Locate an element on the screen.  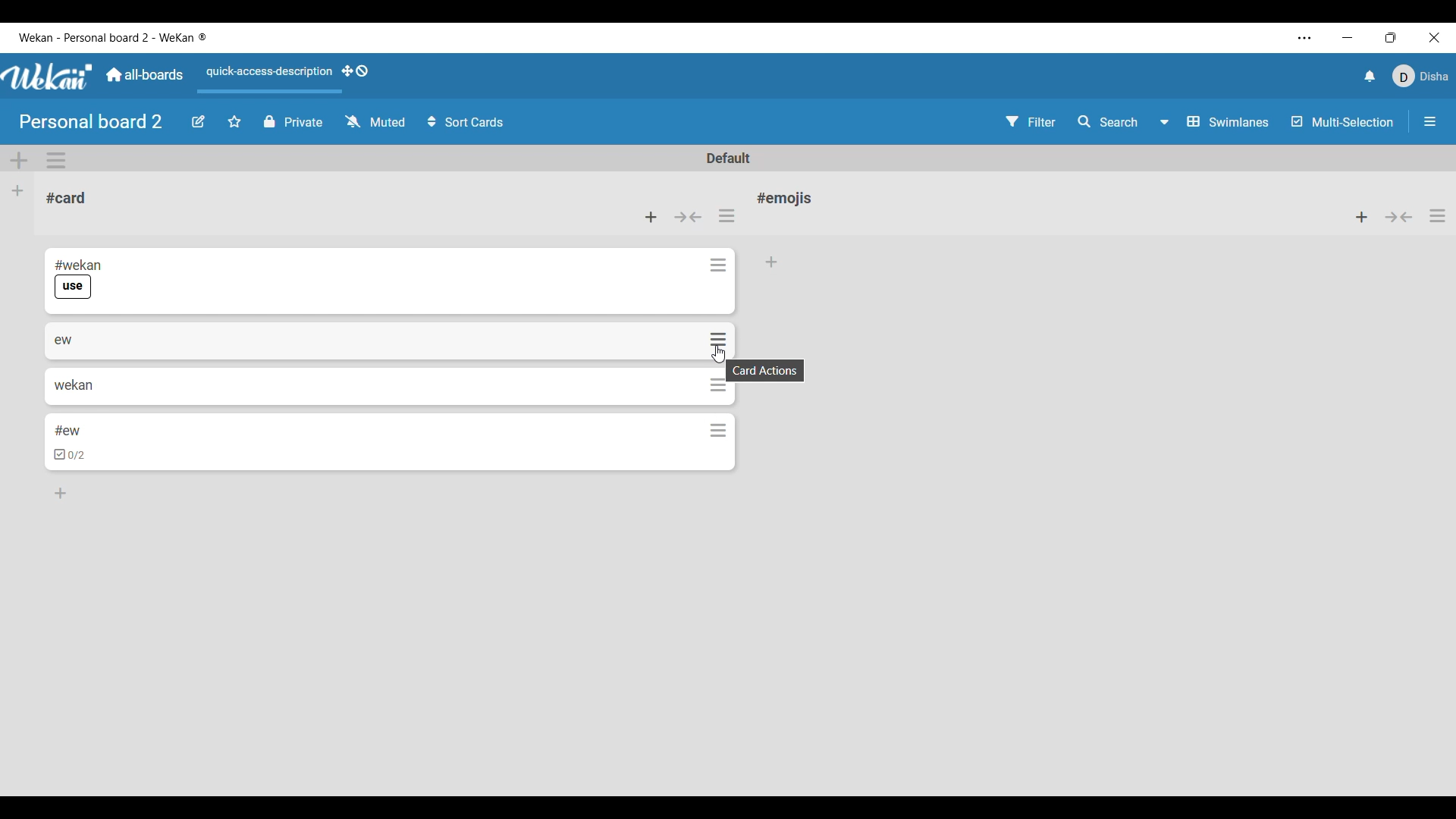
Software logo is located at coordinates (48, 77).